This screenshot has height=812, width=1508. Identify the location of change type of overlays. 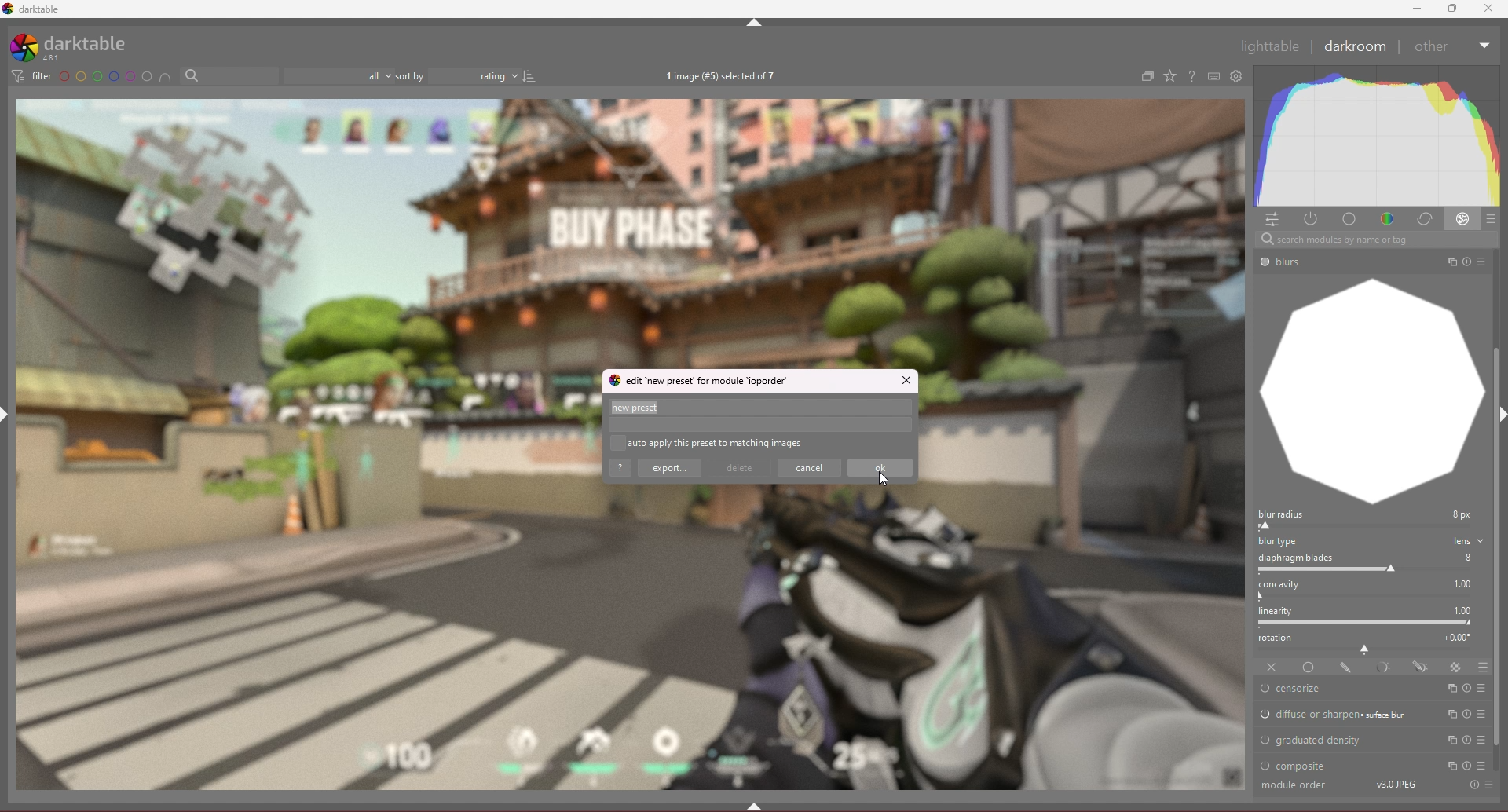
(1171, 75).